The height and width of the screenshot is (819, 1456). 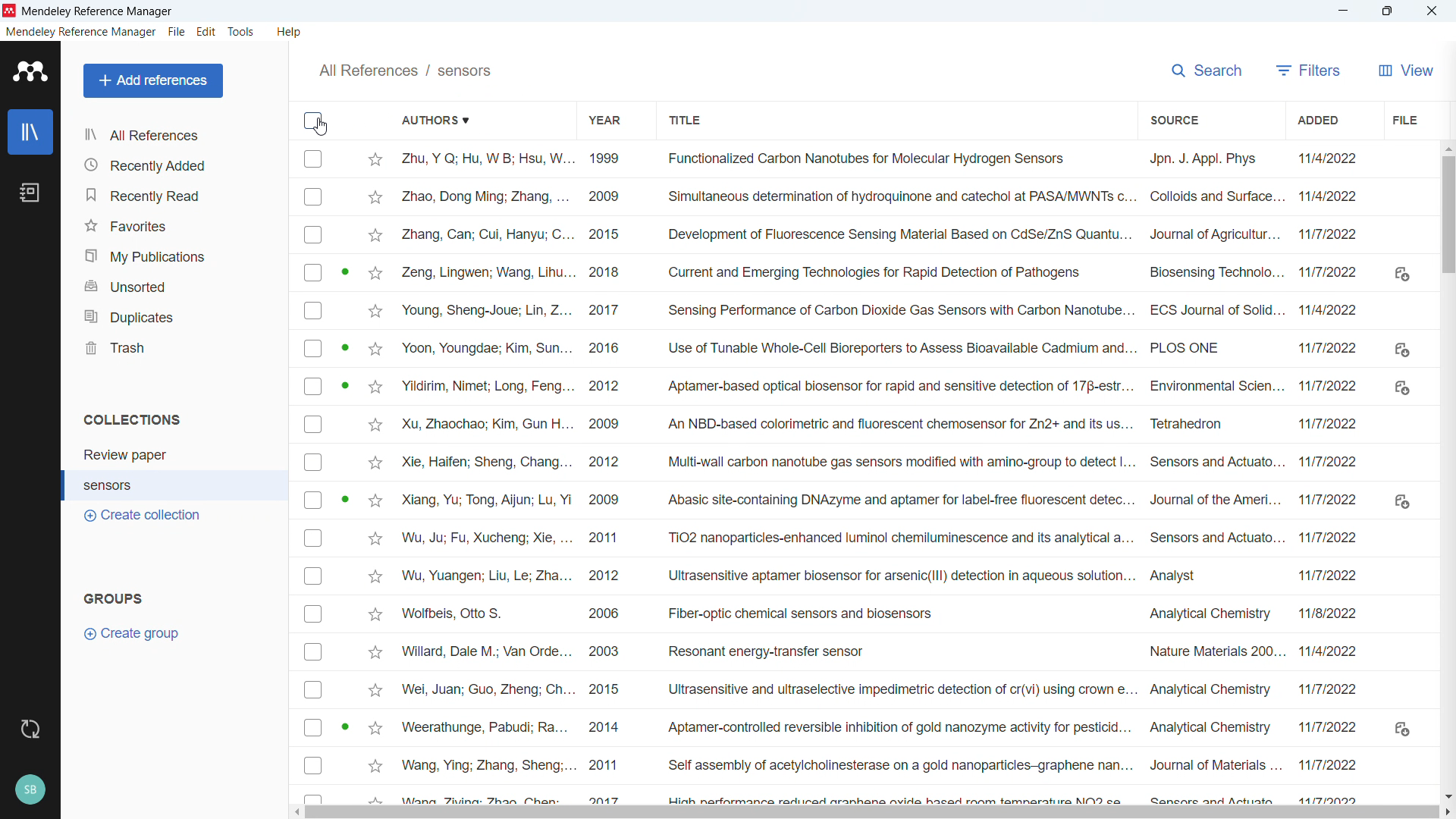 I want to click on all references, so click(x=176, y=134).